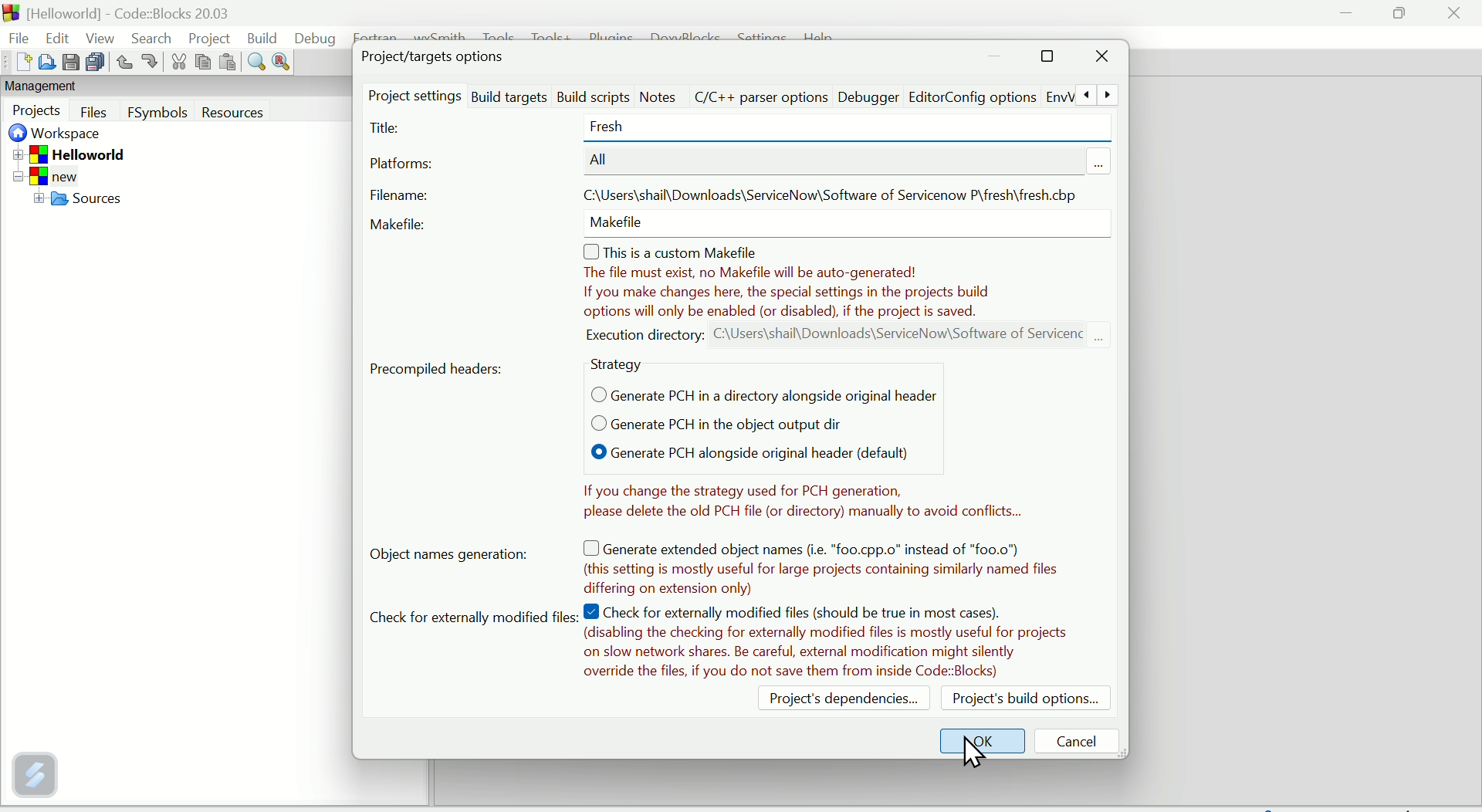 This screenshot has width=1482, height=812. What do you see at coordinates (1024, 698) in the screenshot?
I see `Project build options` at bounding box center [1024, 698].